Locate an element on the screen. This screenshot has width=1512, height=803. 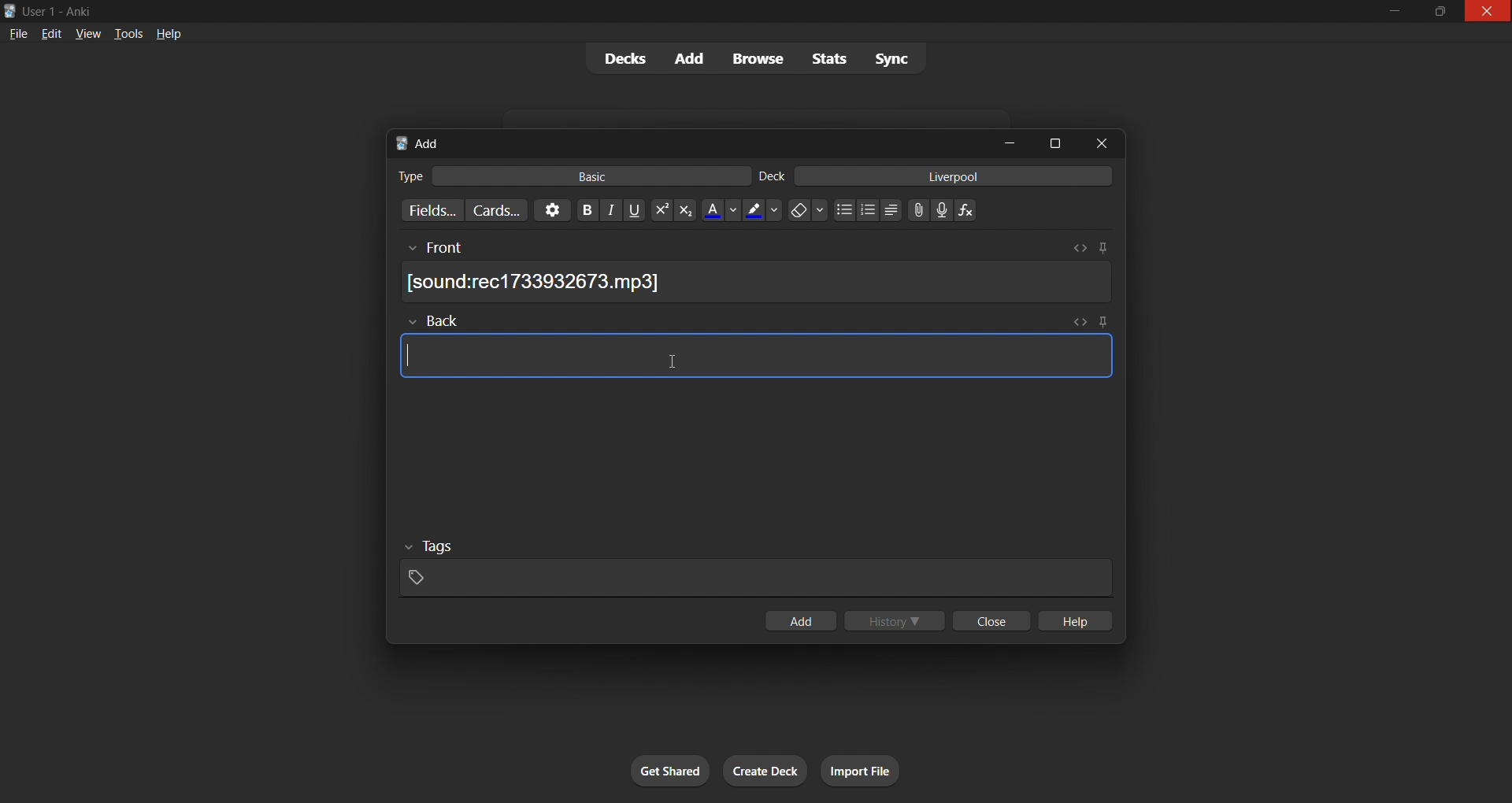
sync is located at coordinates (894, 59).